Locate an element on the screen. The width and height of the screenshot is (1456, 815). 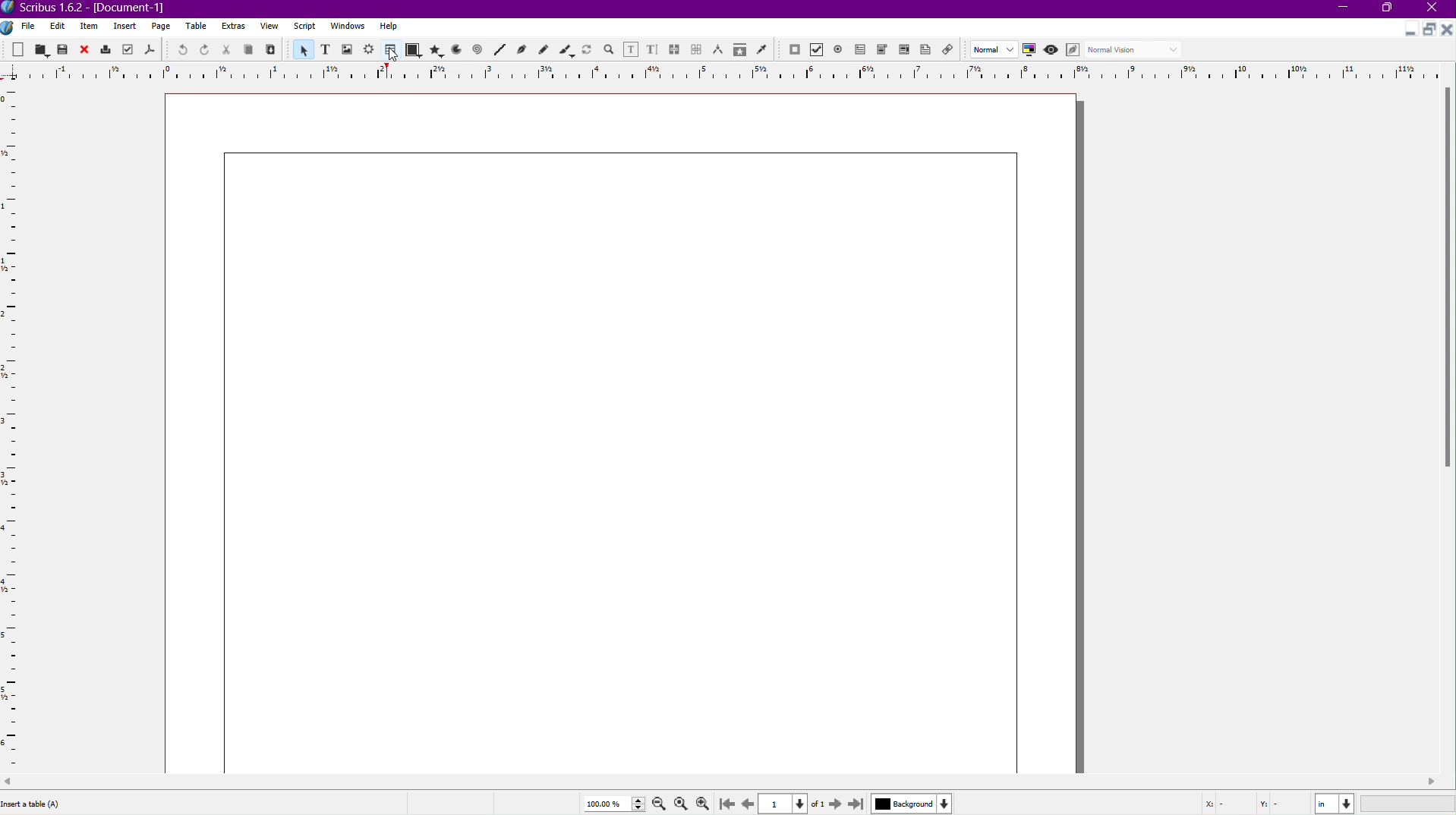
Open is located at coordinates (41, 49).